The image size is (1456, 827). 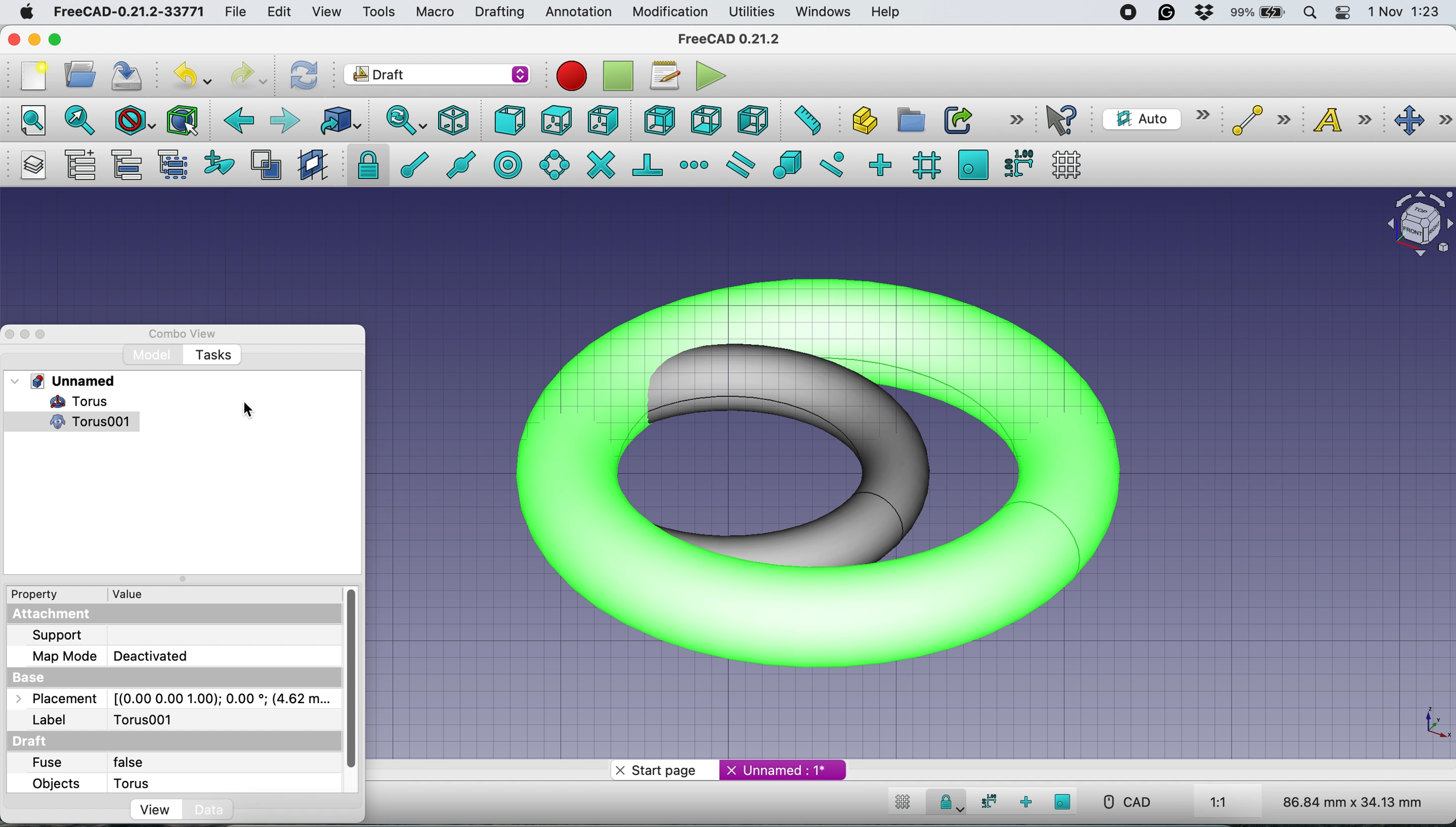 I want to click on Toggle Floating Window, so click(x=27, y=335).